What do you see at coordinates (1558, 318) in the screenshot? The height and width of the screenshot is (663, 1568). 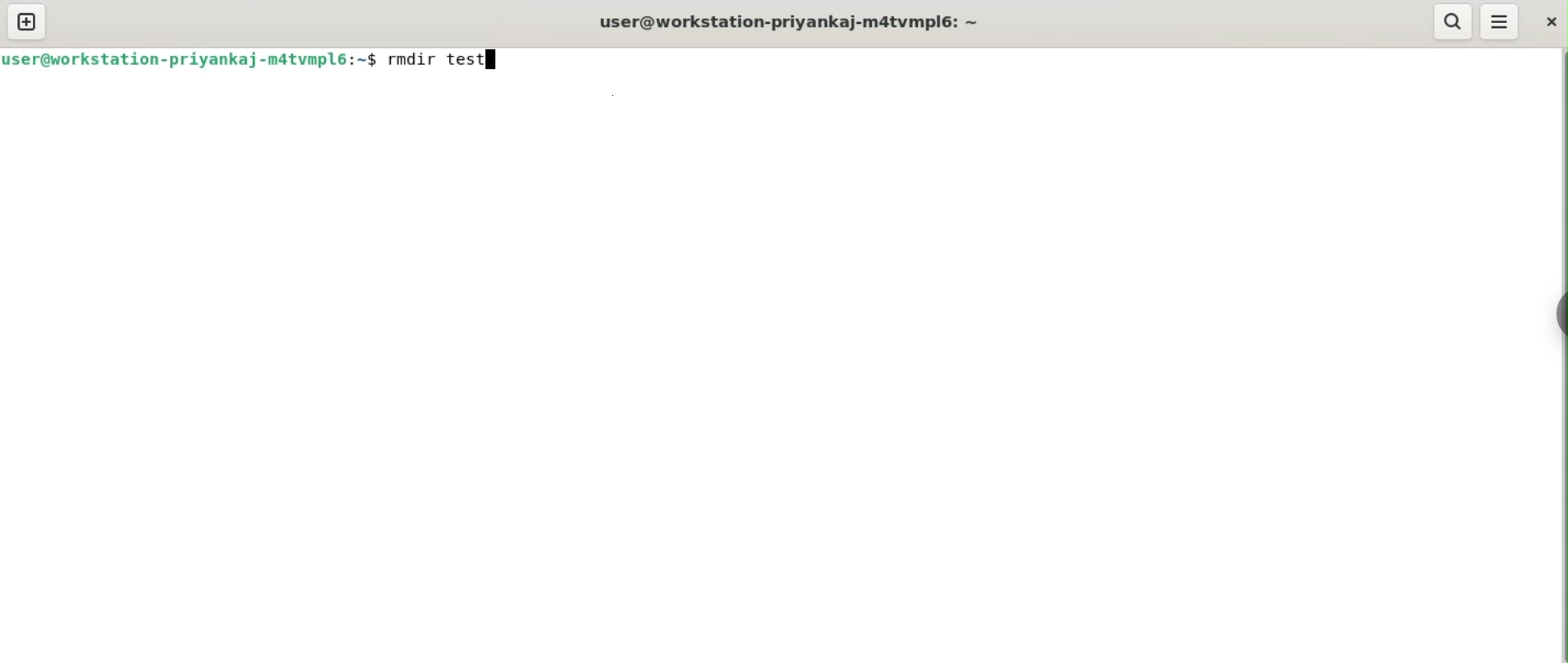 I see `sidebar` at bounding box center [1558, 318].